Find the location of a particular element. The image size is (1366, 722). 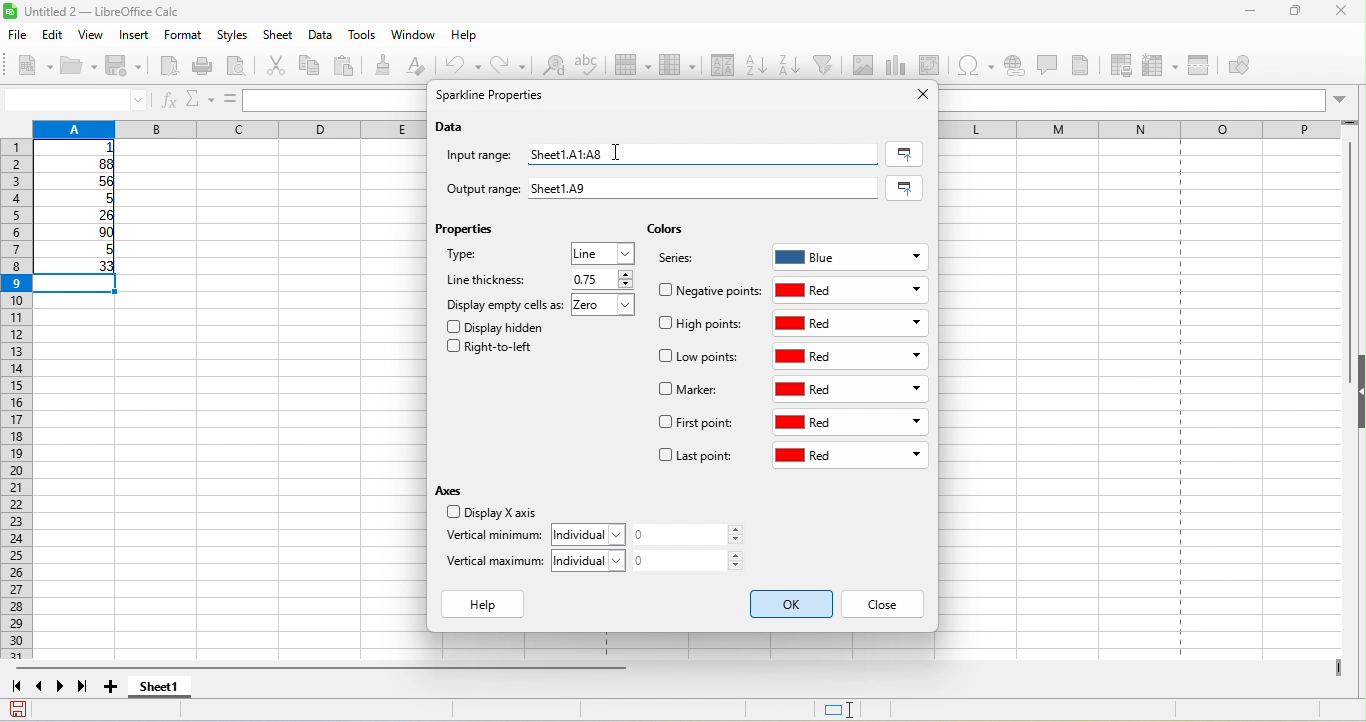

auto filter is located at coordinates (829, 61).